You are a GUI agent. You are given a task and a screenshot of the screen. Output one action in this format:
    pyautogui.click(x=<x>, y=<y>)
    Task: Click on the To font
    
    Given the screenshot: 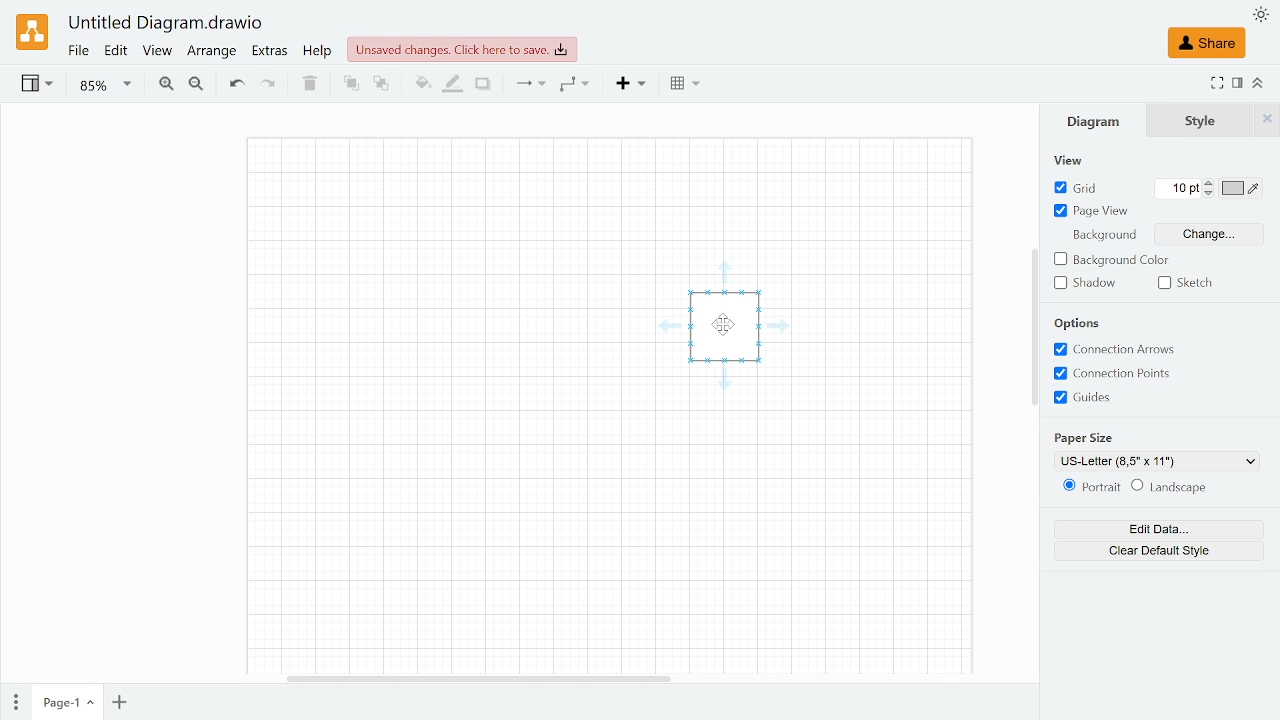 What is the action you would take?
    pyautogui.click(x=351, y=84)
    